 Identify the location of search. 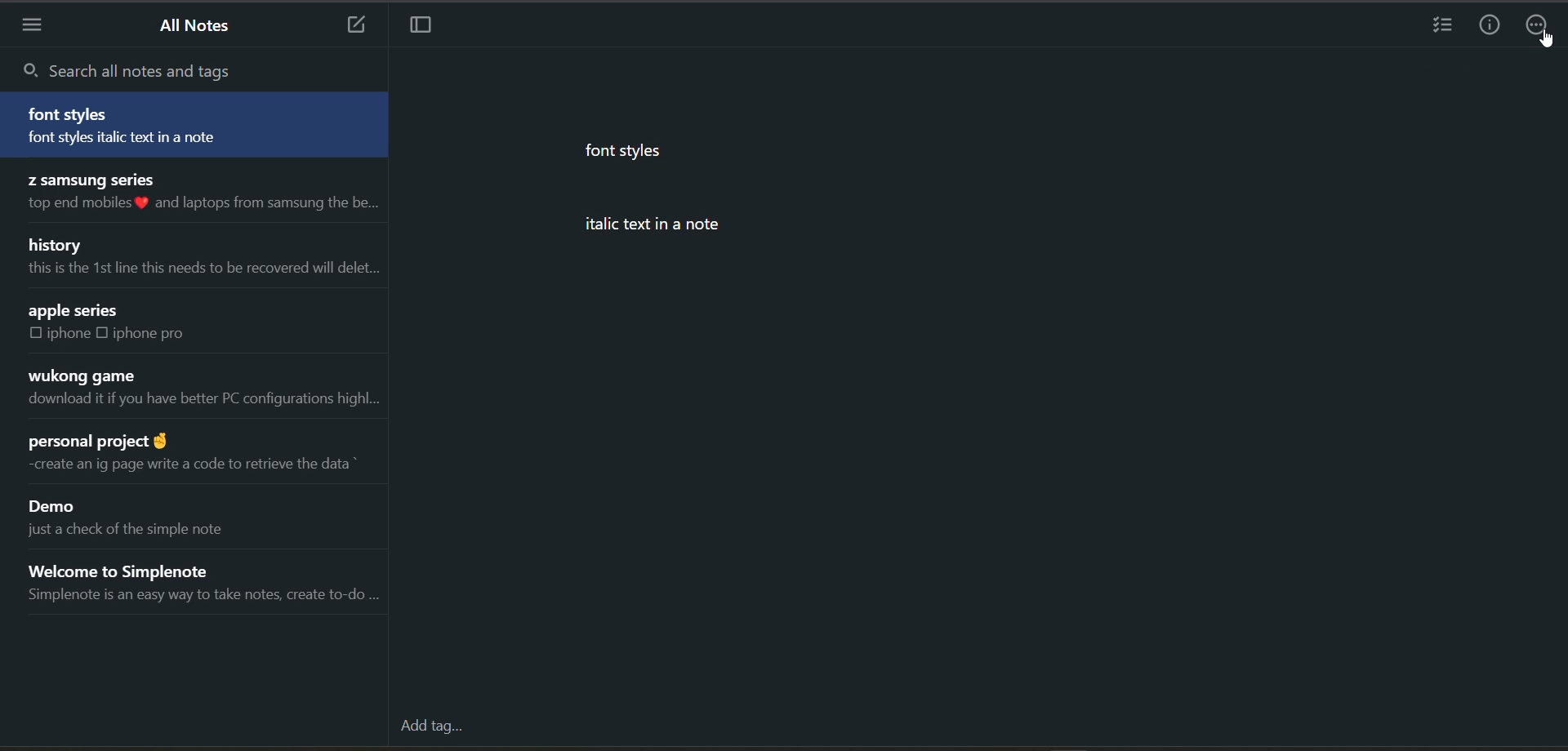
(152, 68).